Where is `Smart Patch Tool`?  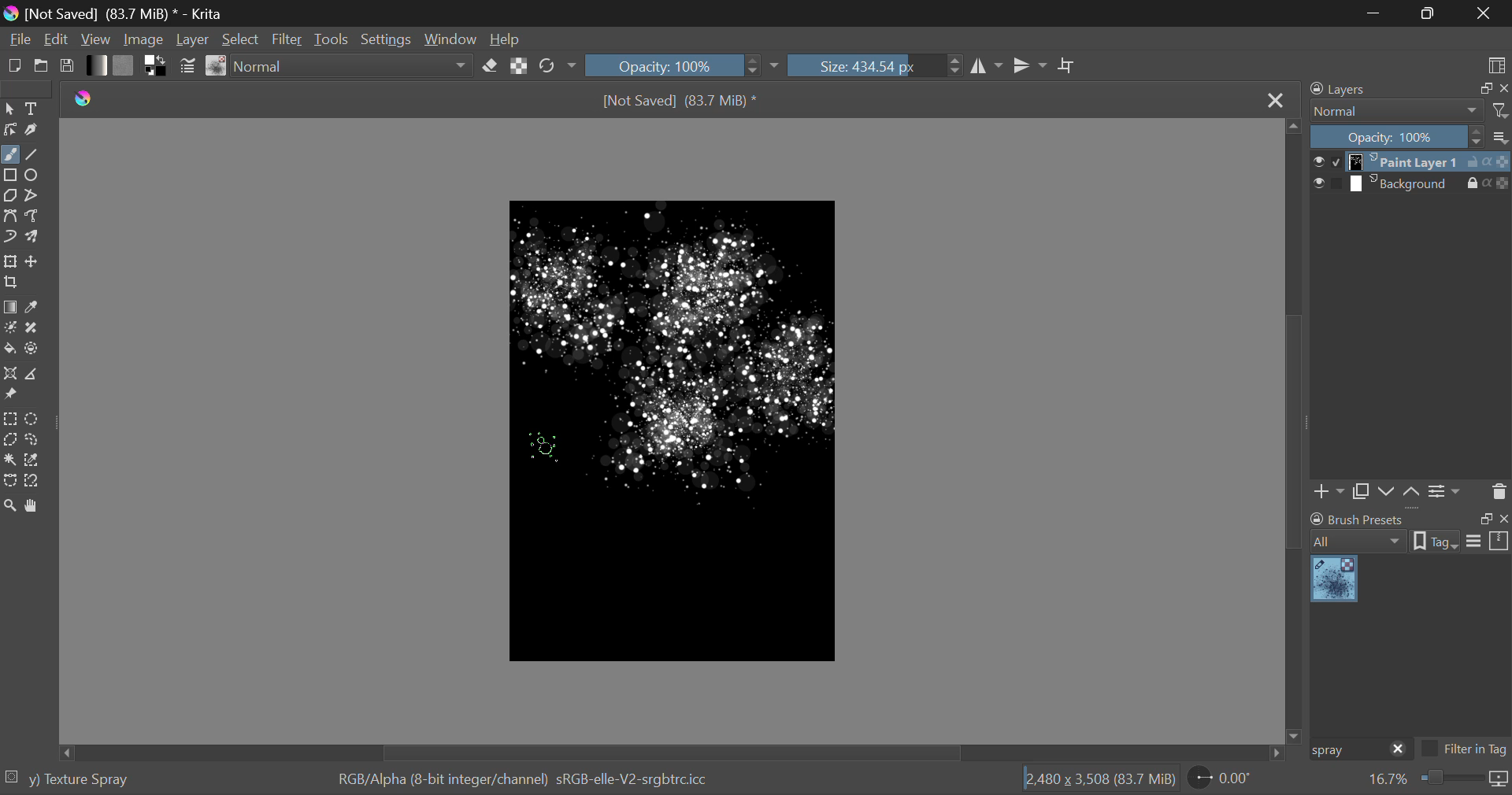 Smart Patch Tool is located at coordinates (32, 331).